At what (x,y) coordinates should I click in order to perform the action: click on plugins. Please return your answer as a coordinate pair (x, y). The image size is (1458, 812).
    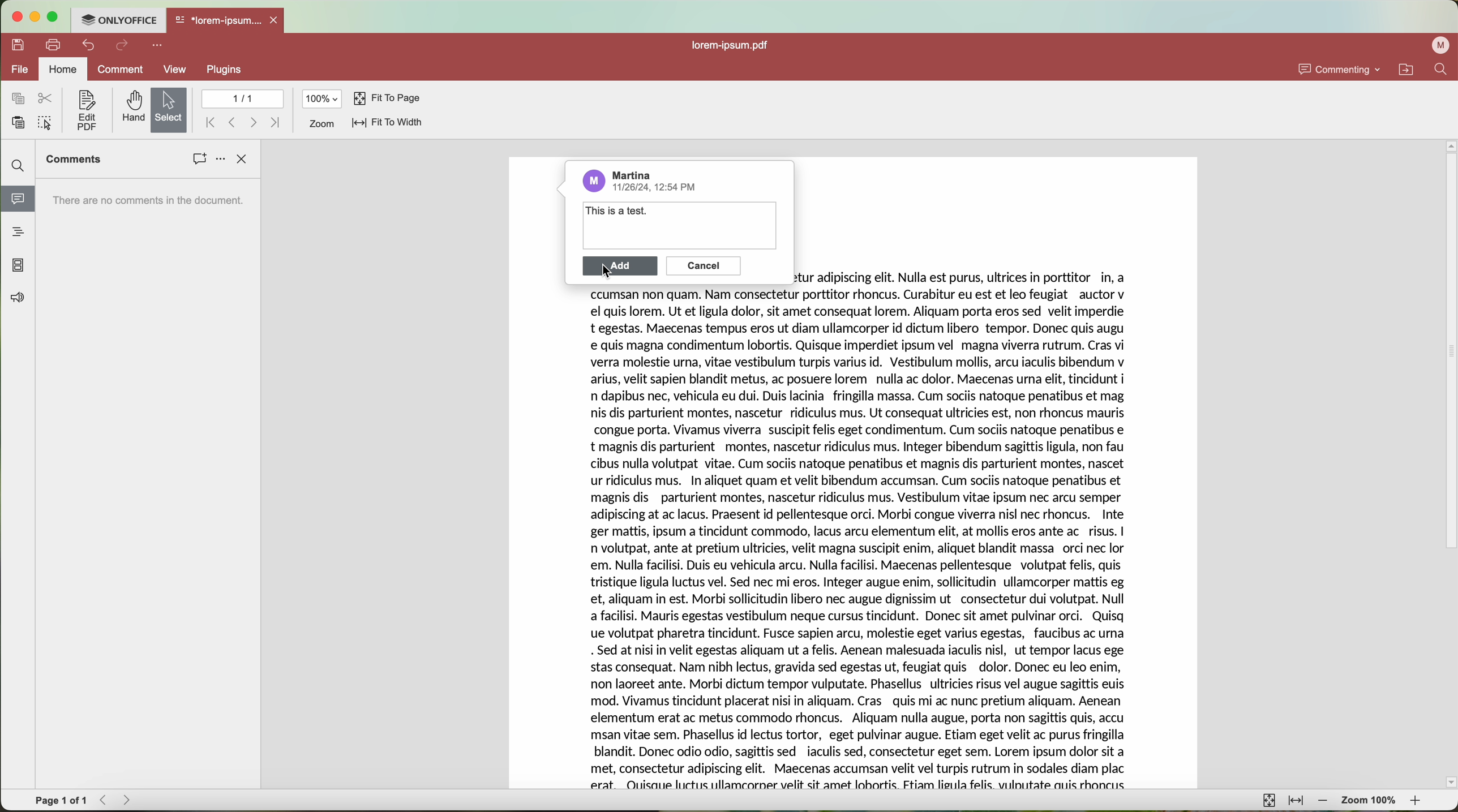
    Looking at the image, I should click on (223, 71).